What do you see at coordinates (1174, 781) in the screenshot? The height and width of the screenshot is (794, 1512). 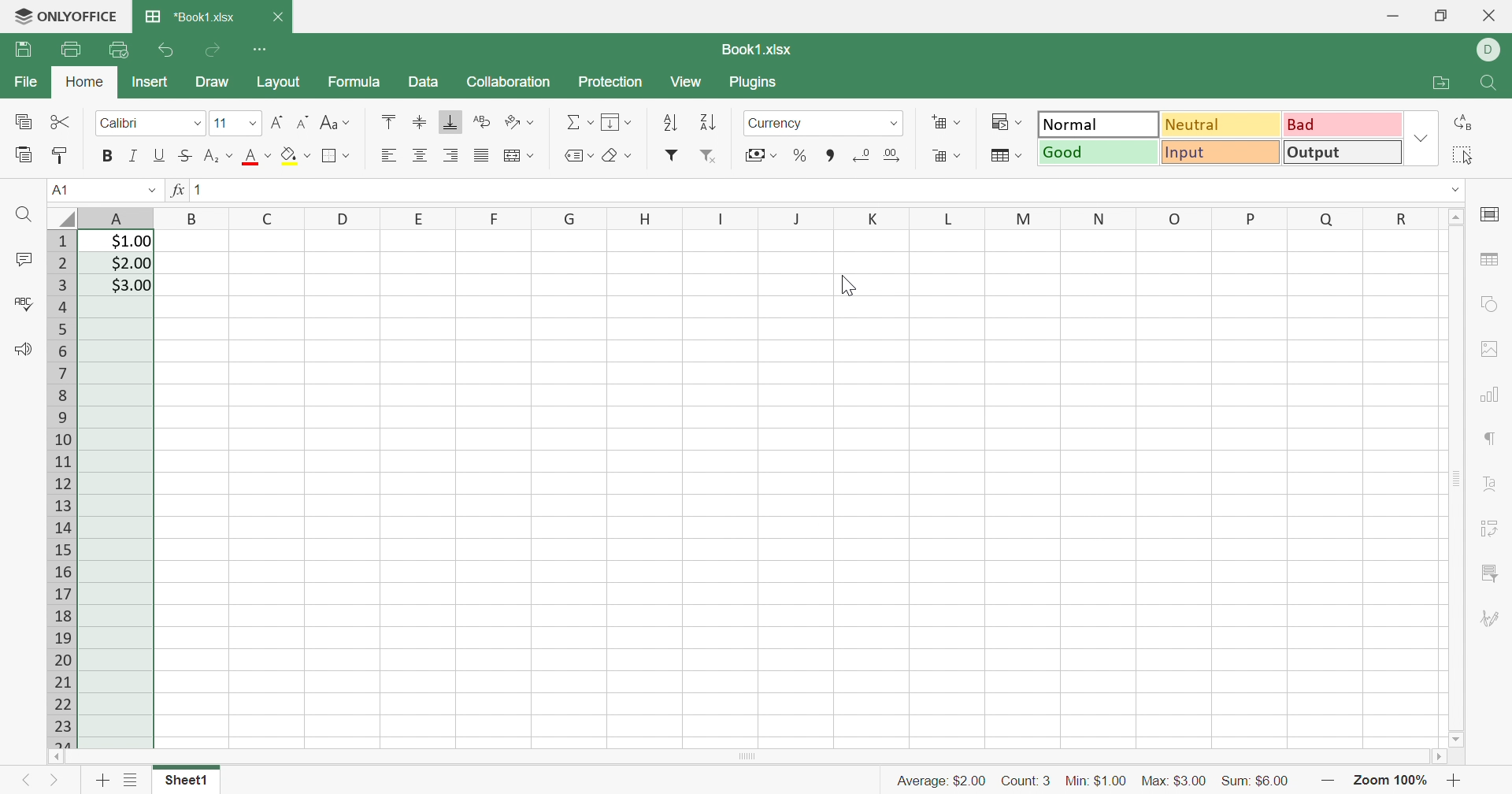 I see `Max: $6.00` at bounding box center [1174, 781].